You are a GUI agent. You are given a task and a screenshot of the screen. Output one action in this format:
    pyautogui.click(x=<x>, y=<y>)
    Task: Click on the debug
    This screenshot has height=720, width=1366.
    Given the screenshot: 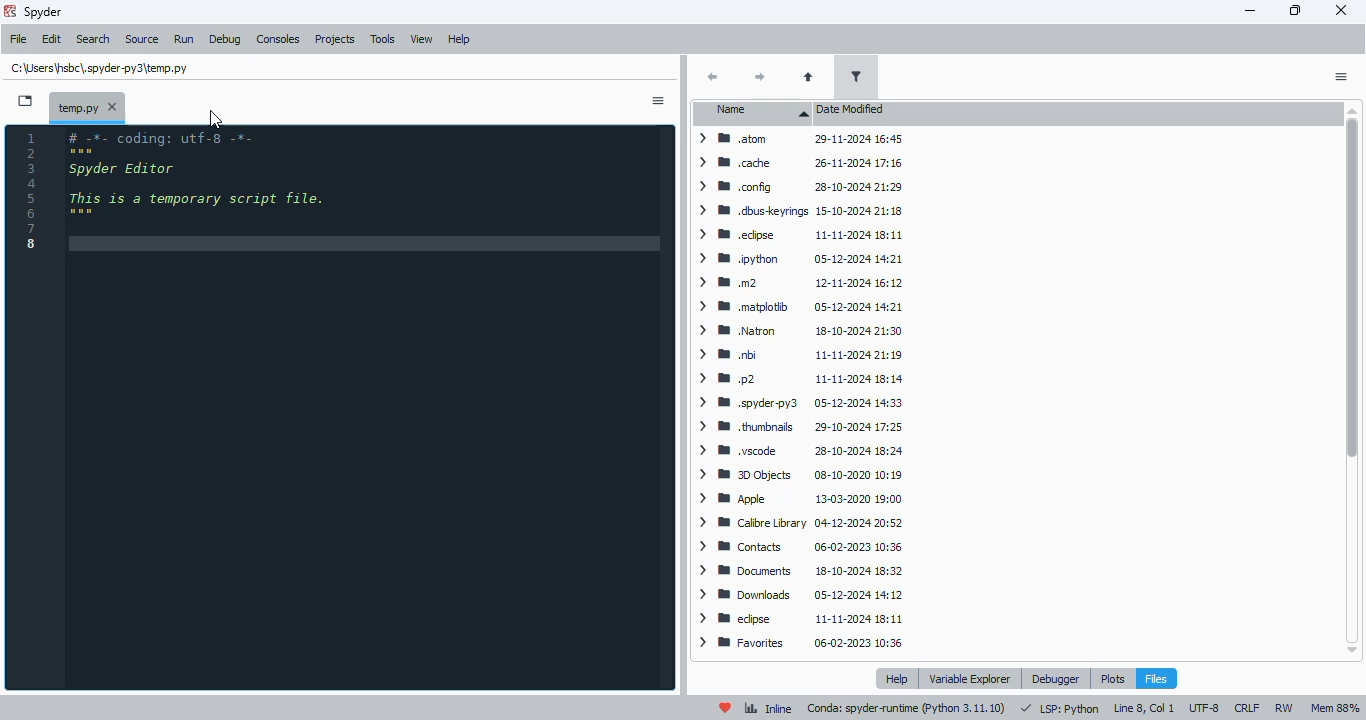 What is the action you would take?
    pyautogui.click(x=225, y=39)
    